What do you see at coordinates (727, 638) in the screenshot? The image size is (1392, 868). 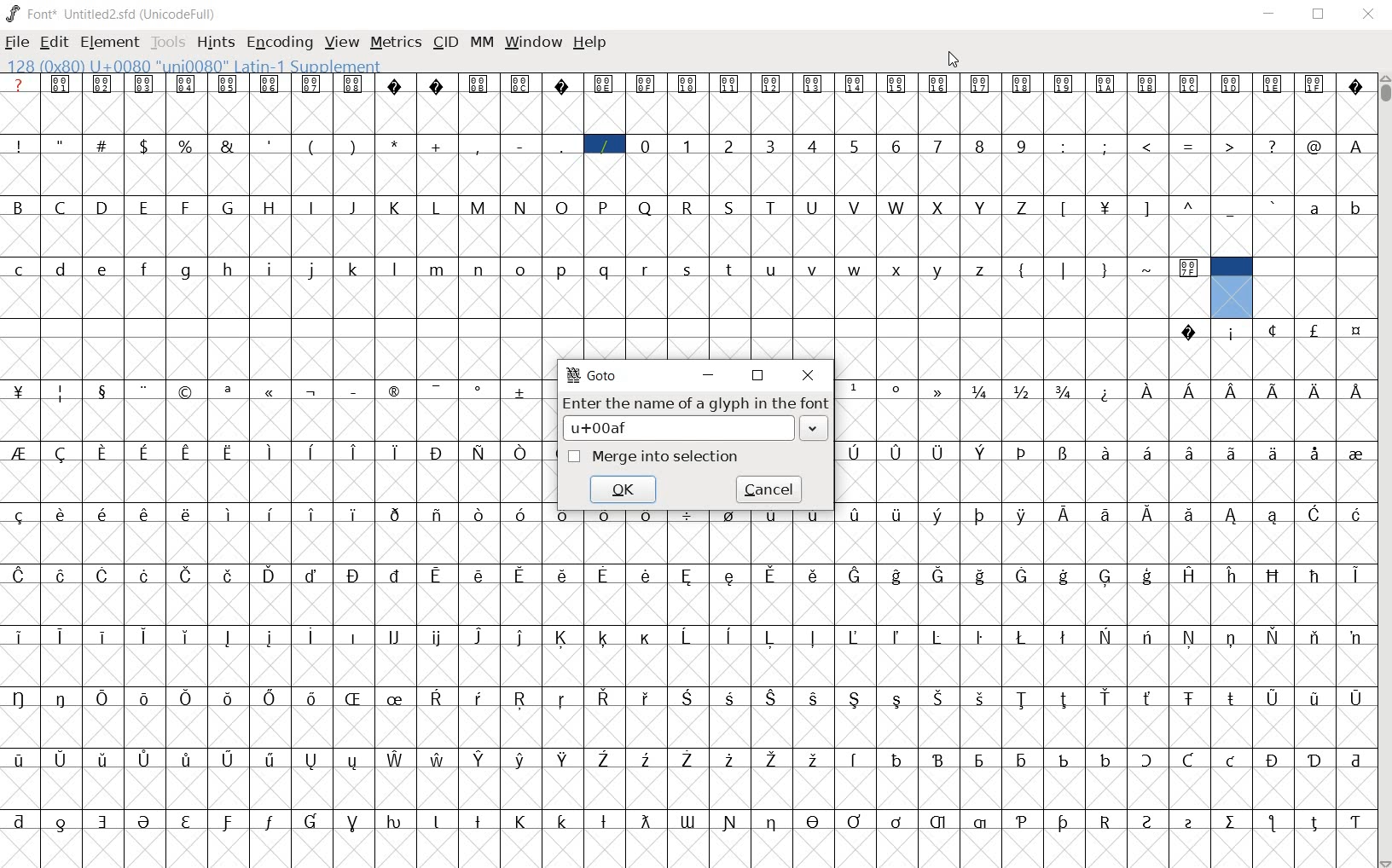 I see `Symbol` at bounding box center [727, 638].